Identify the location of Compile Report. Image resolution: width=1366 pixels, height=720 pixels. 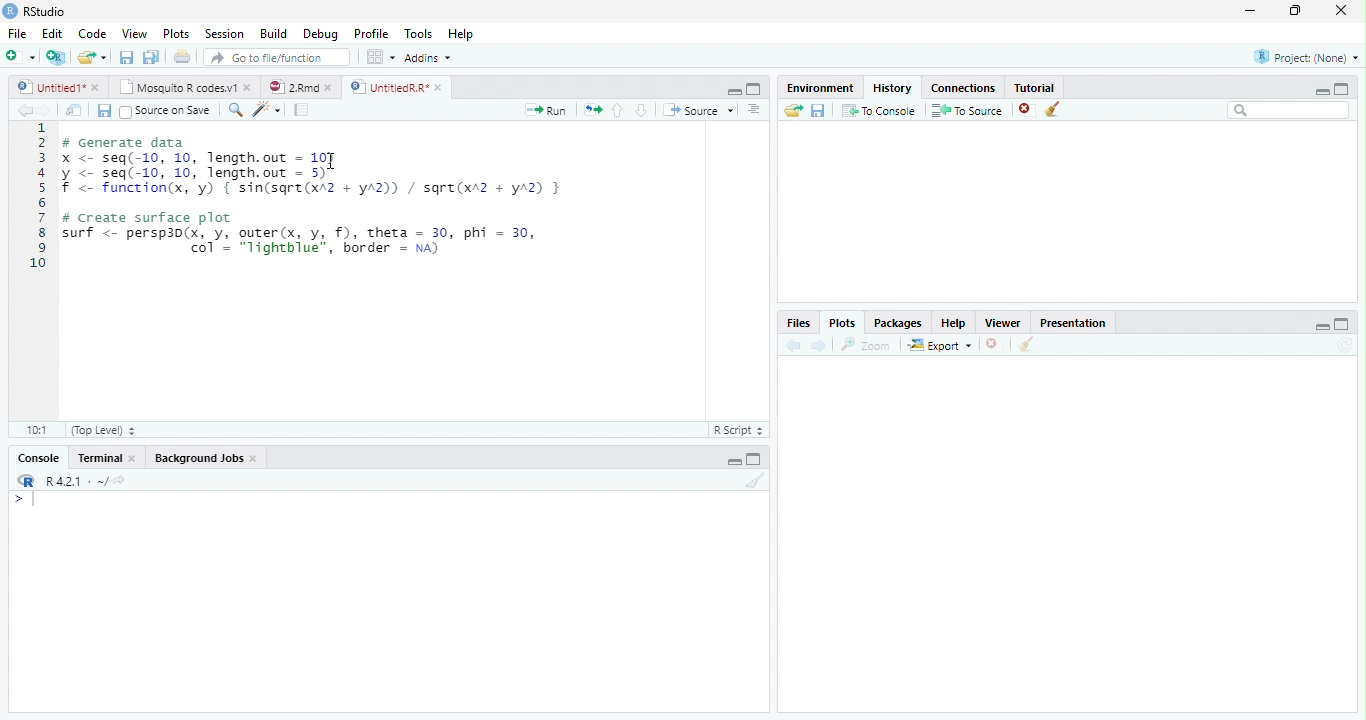
(301, 109).